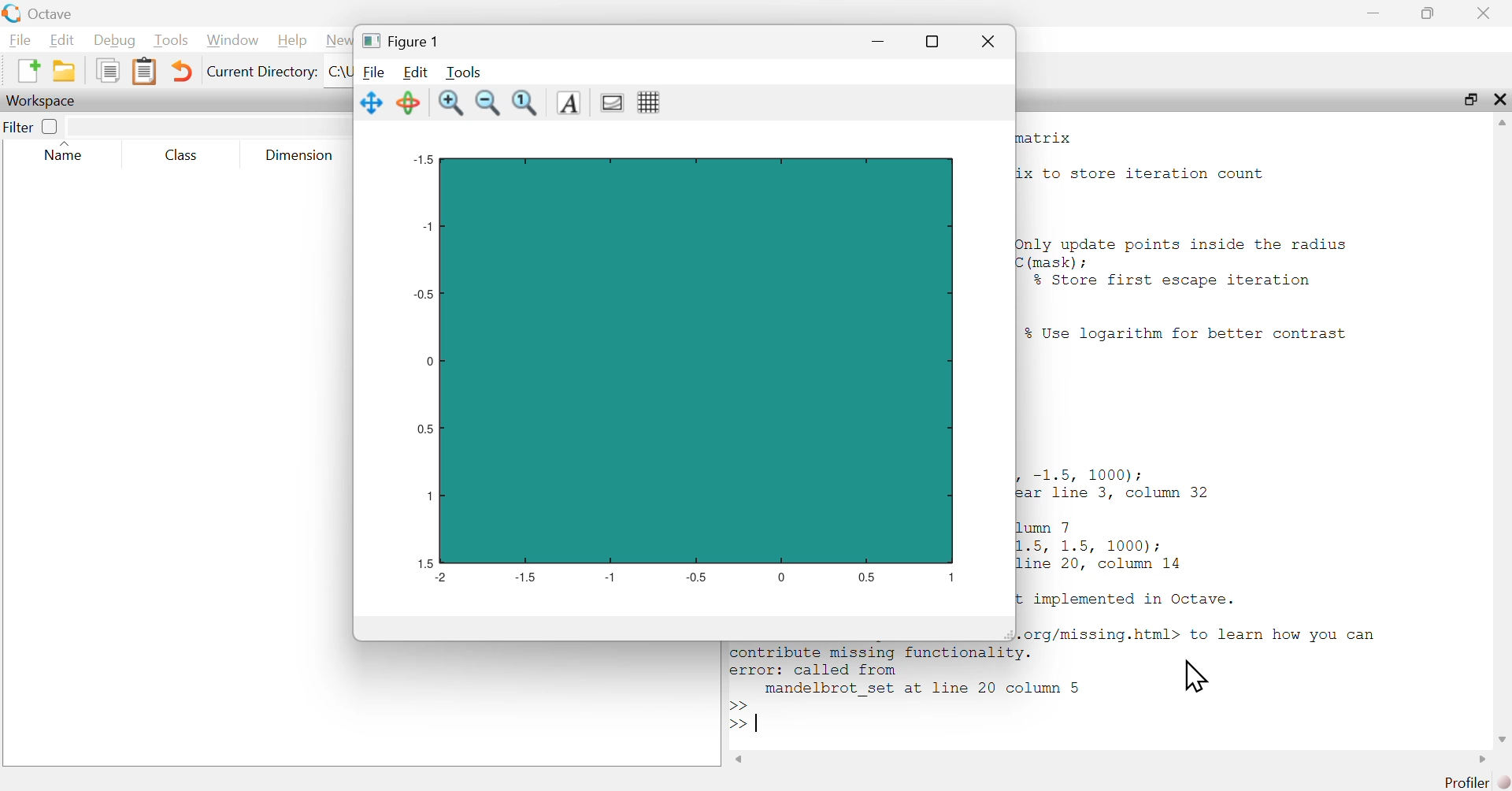 Image resolution: width=1512 pixels, height=791 pixels. I want to click on rotate, so click(406, 103).